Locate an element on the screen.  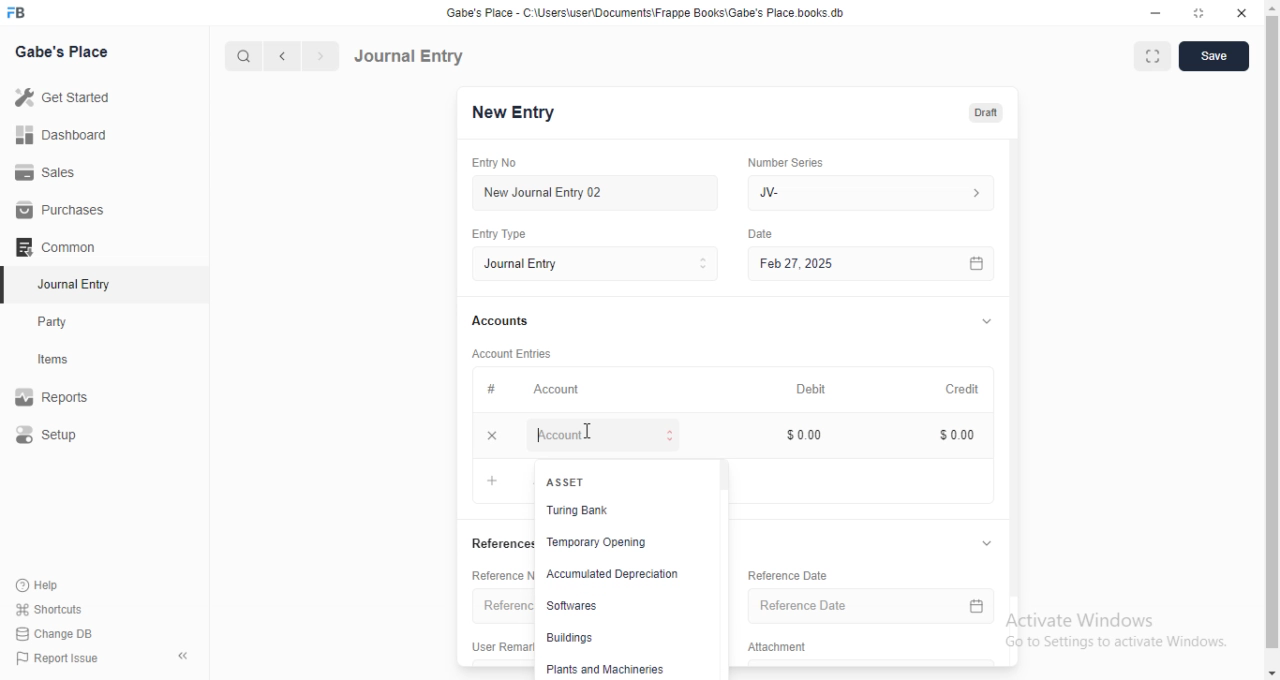
Dashboard is located at coordinates (62, 135).